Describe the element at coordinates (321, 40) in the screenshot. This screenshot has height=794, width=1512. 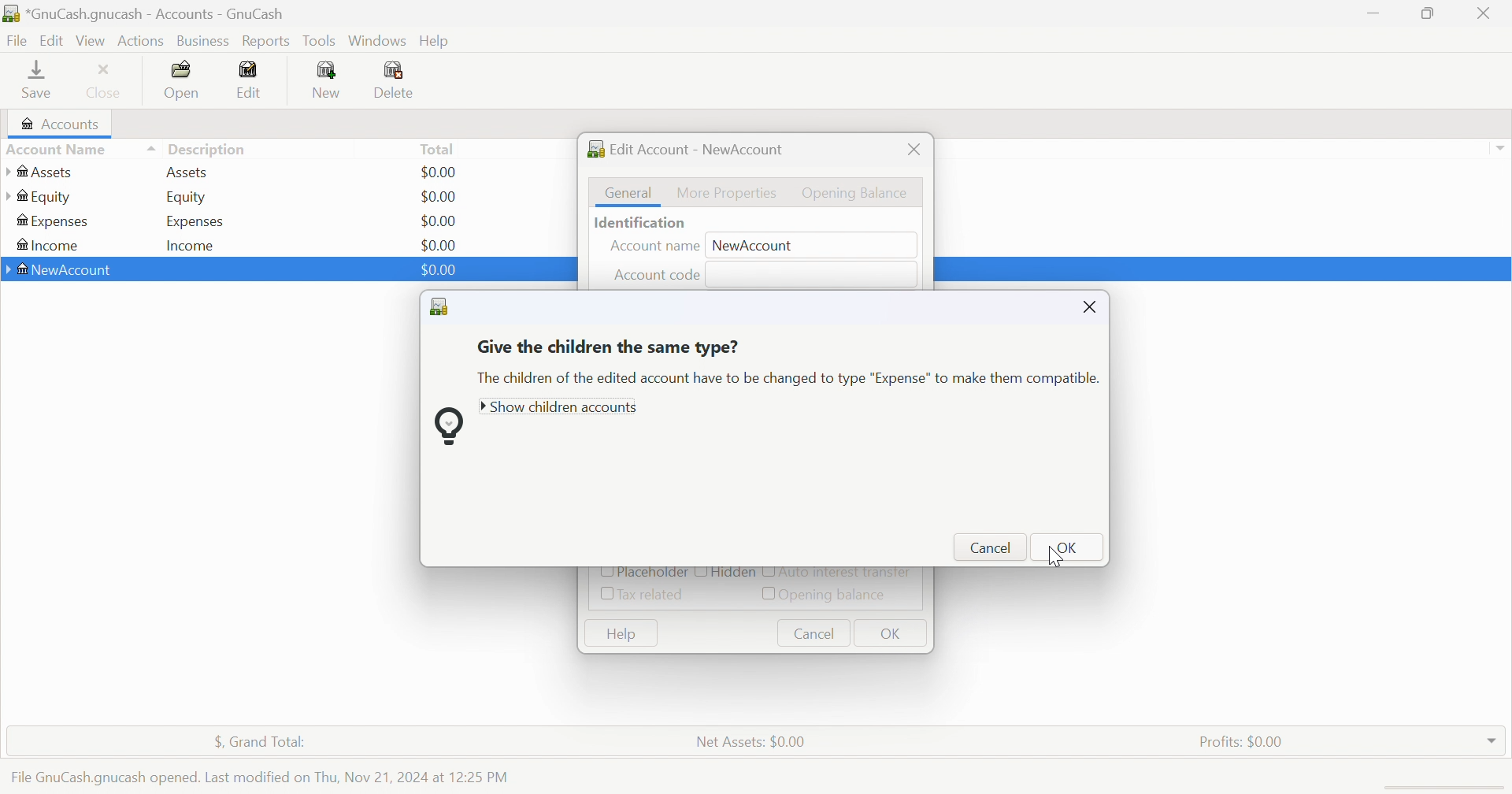
I see `Tools` at that location.